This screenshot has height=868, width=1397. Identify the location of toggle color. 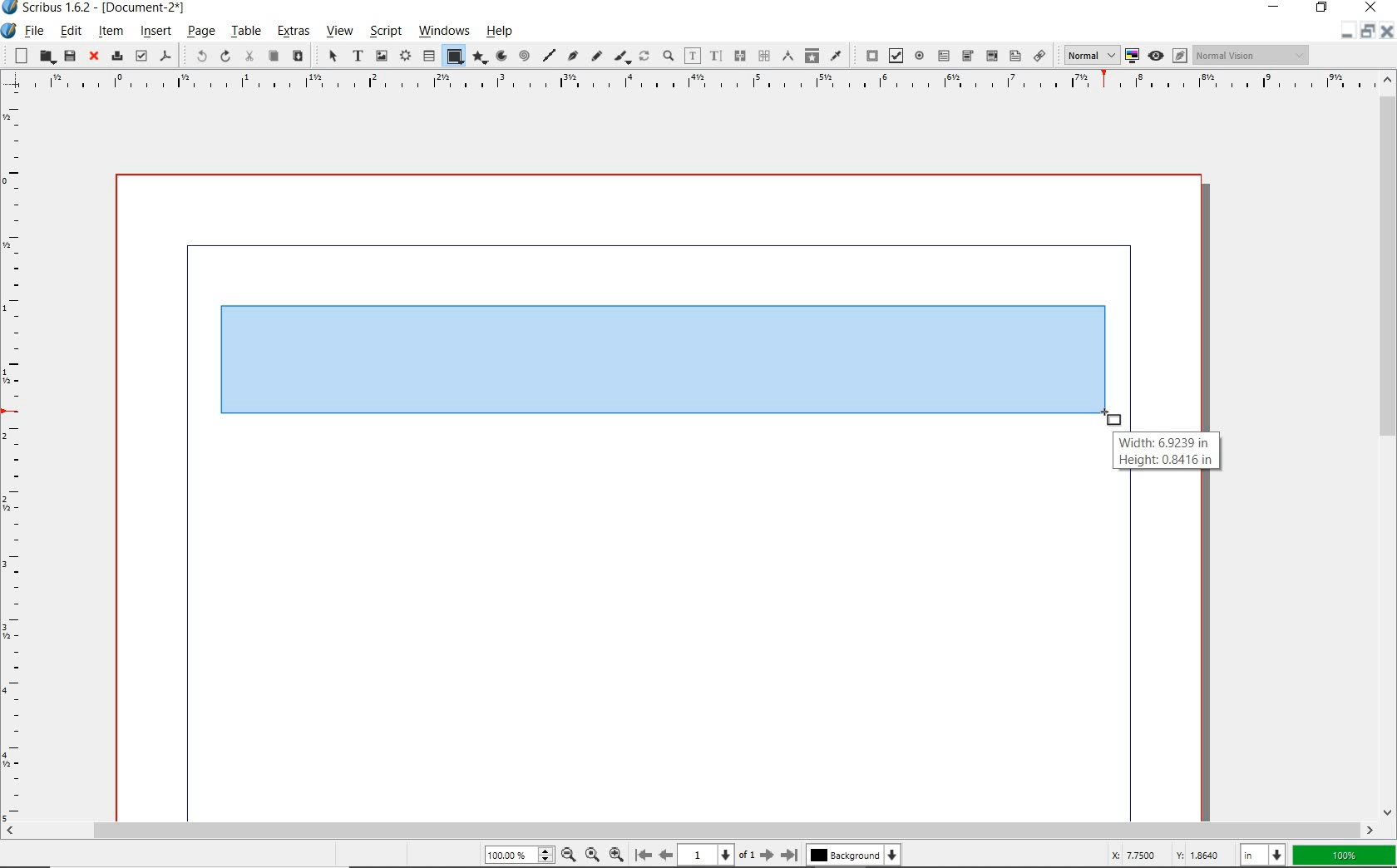
(1130, 57).